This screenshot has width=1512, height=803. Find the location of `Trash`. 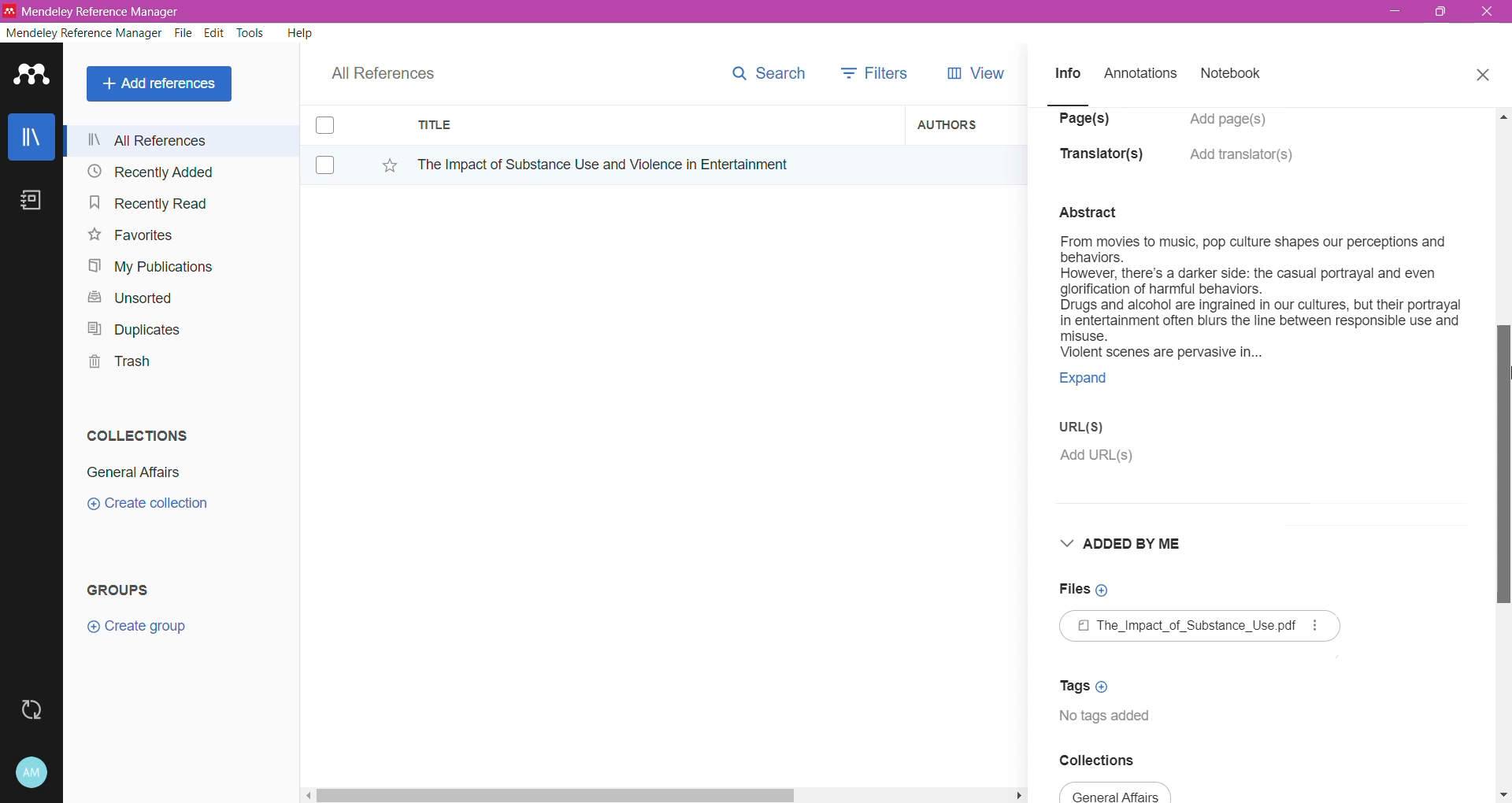

Trash is located at coordinates (115, 364).